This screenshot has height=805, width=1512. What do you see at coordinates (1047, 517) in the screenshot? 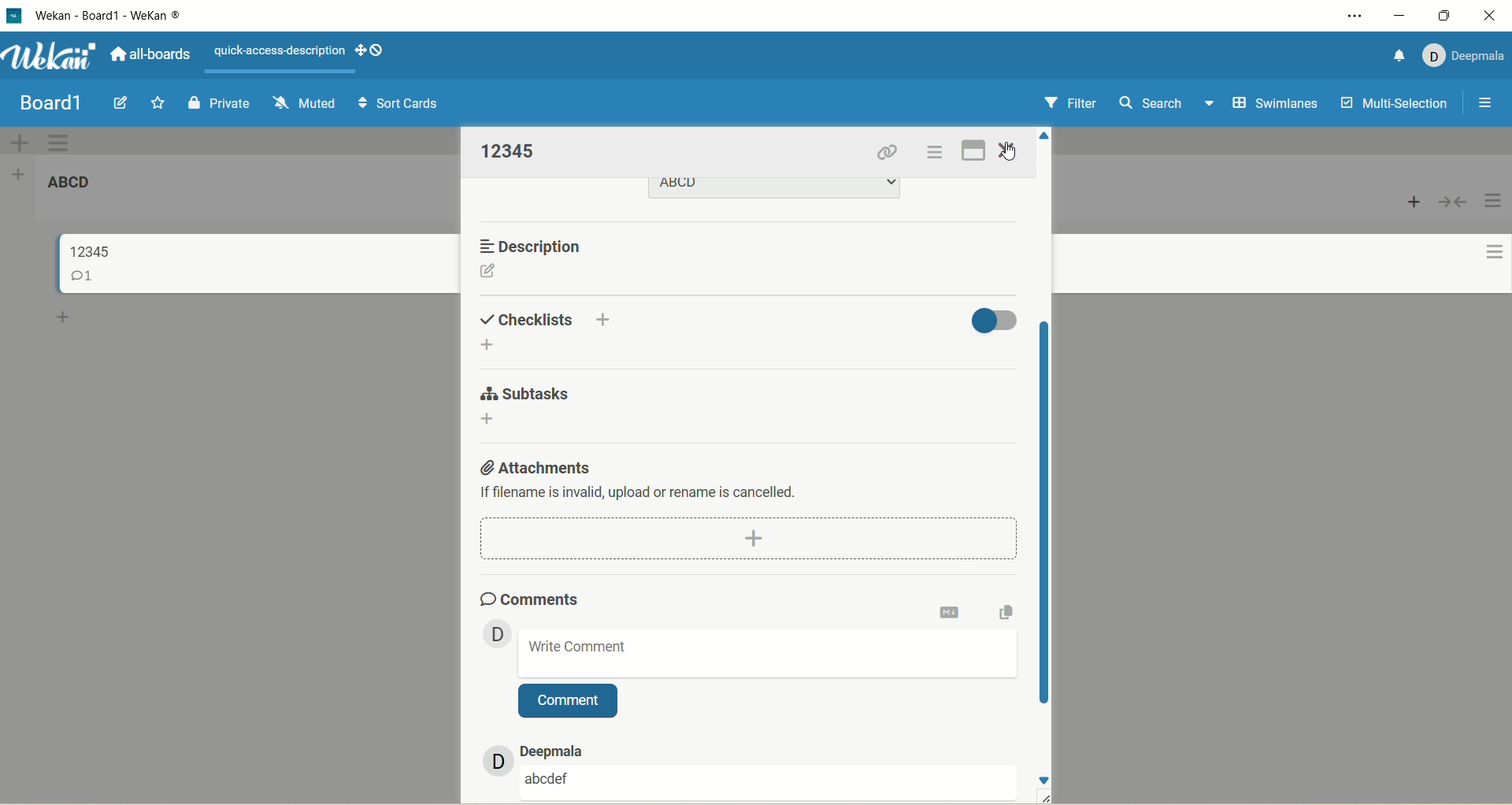
I see `vertical scroll bar` at bounding box center [1047, 517].